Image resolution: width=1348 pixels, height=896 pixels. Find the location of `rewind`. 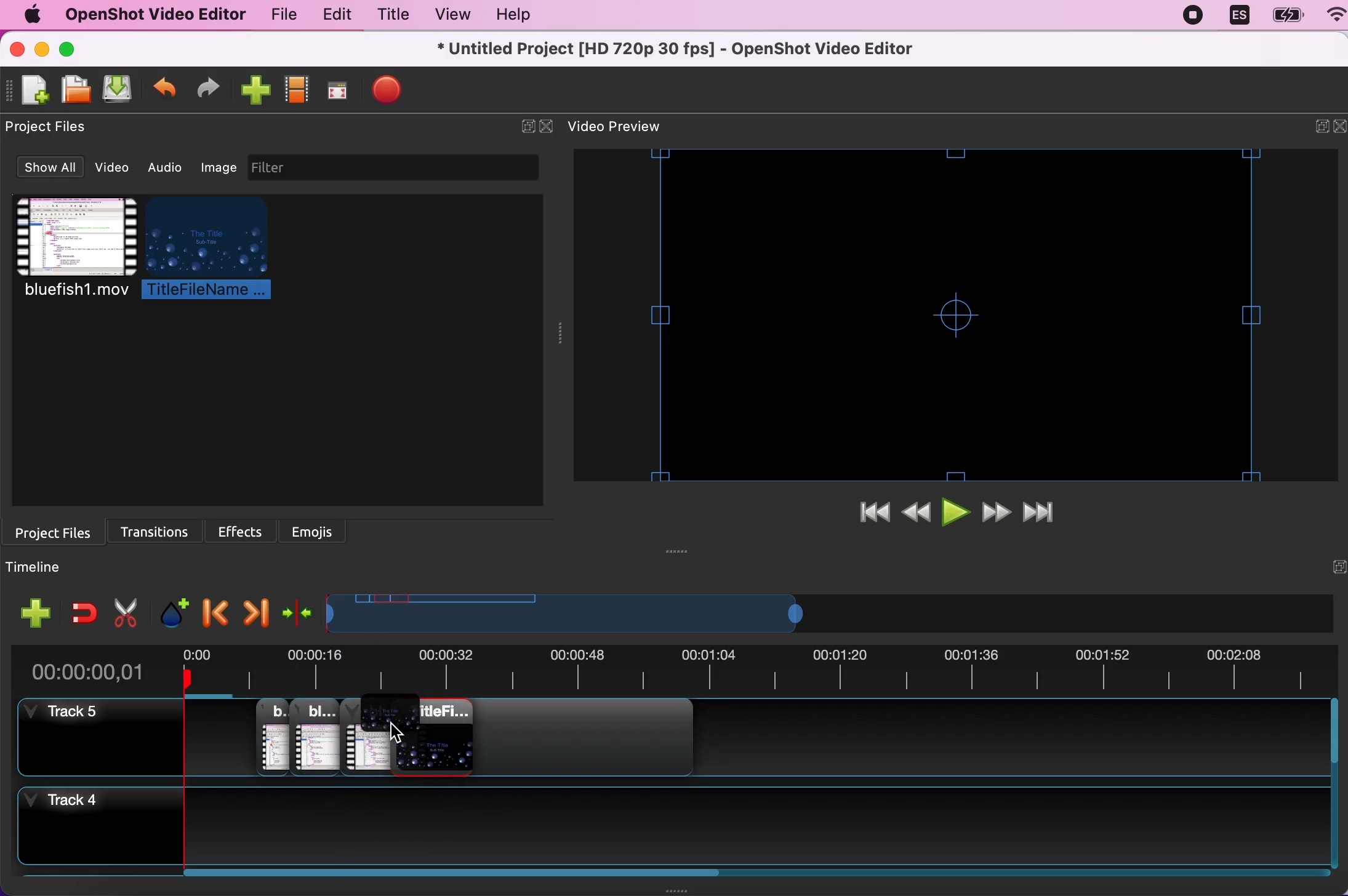

rewind is located at coordinates (918, 514).